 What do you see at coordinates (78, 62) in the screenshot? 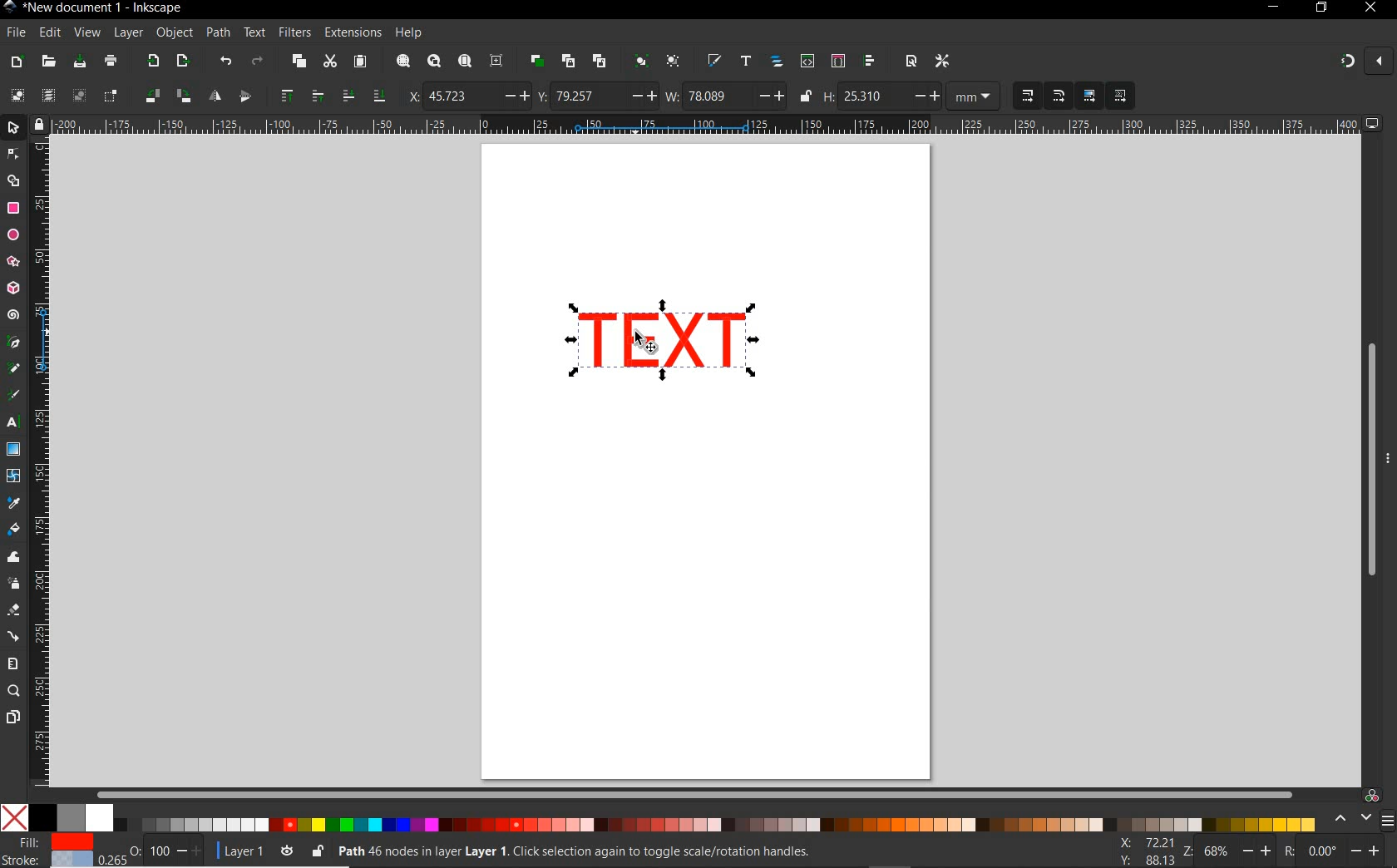
I see `SAVE` at bounding box center [78, 62].